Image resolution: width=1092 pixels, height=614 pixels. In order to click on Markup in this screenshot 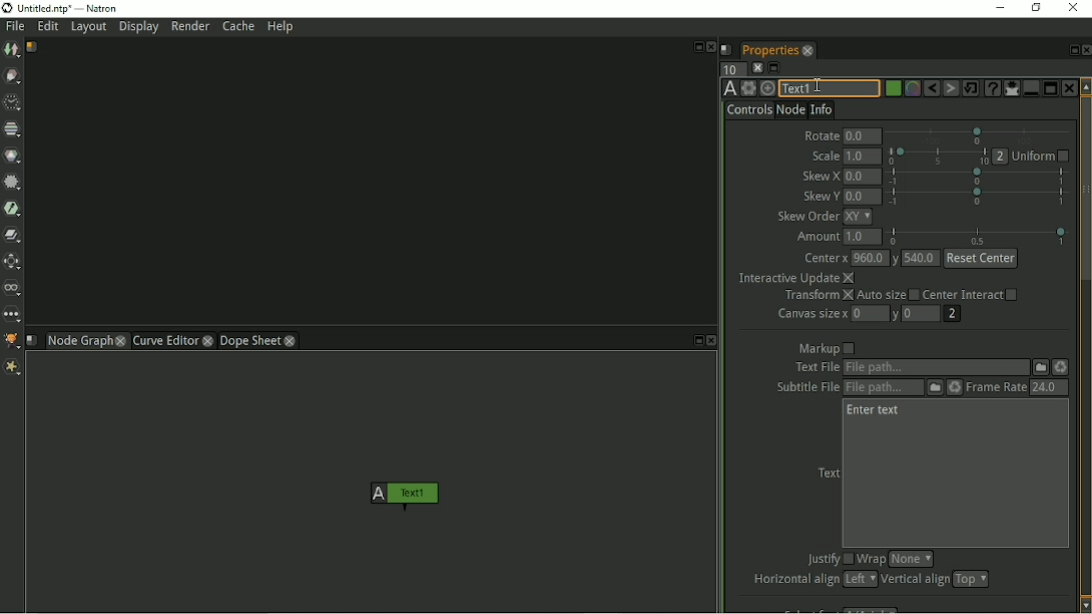, I will do `click(827, 348)`.